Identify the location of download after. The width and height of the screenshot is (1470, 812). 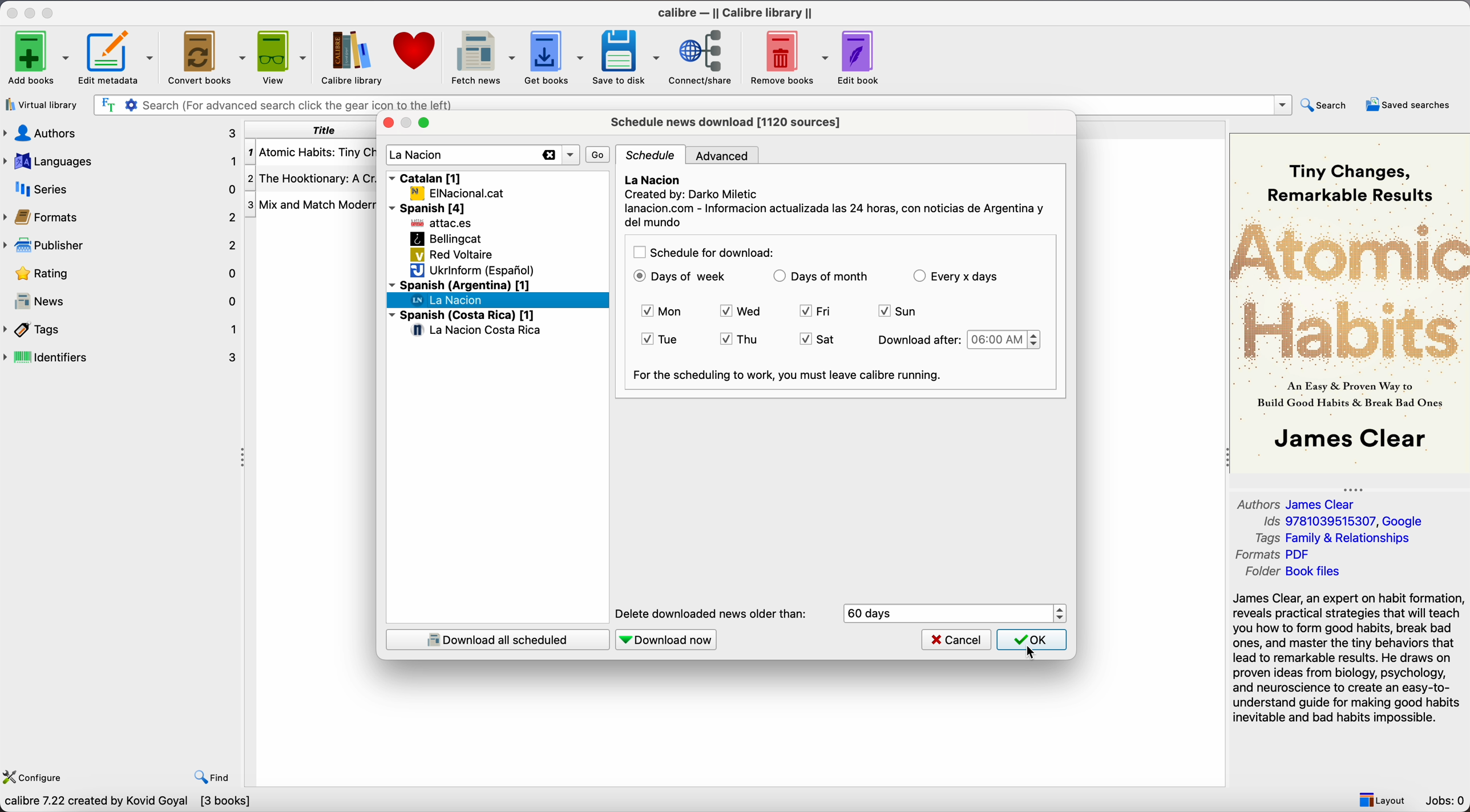
(916, 340).